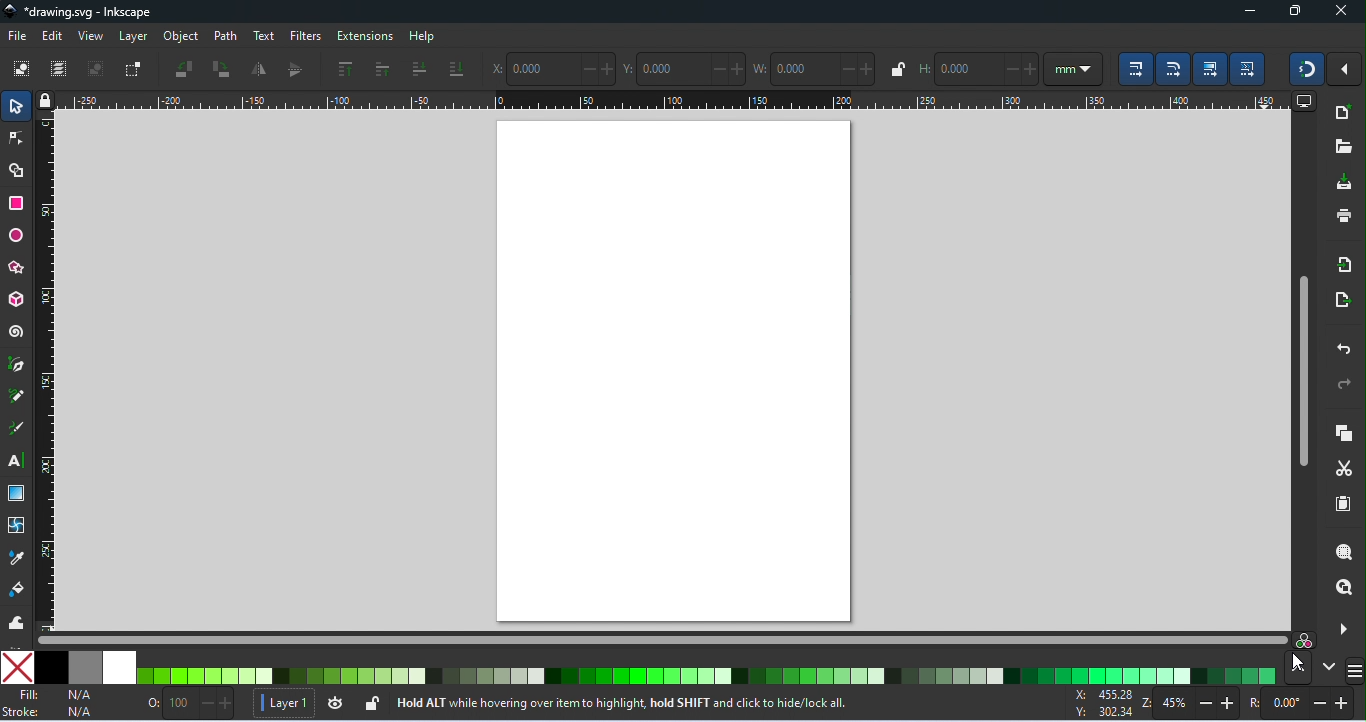  What do you see at coordinates (677, 372) in the screenshot?
I see `workspace` at bounding box center [677, 372].